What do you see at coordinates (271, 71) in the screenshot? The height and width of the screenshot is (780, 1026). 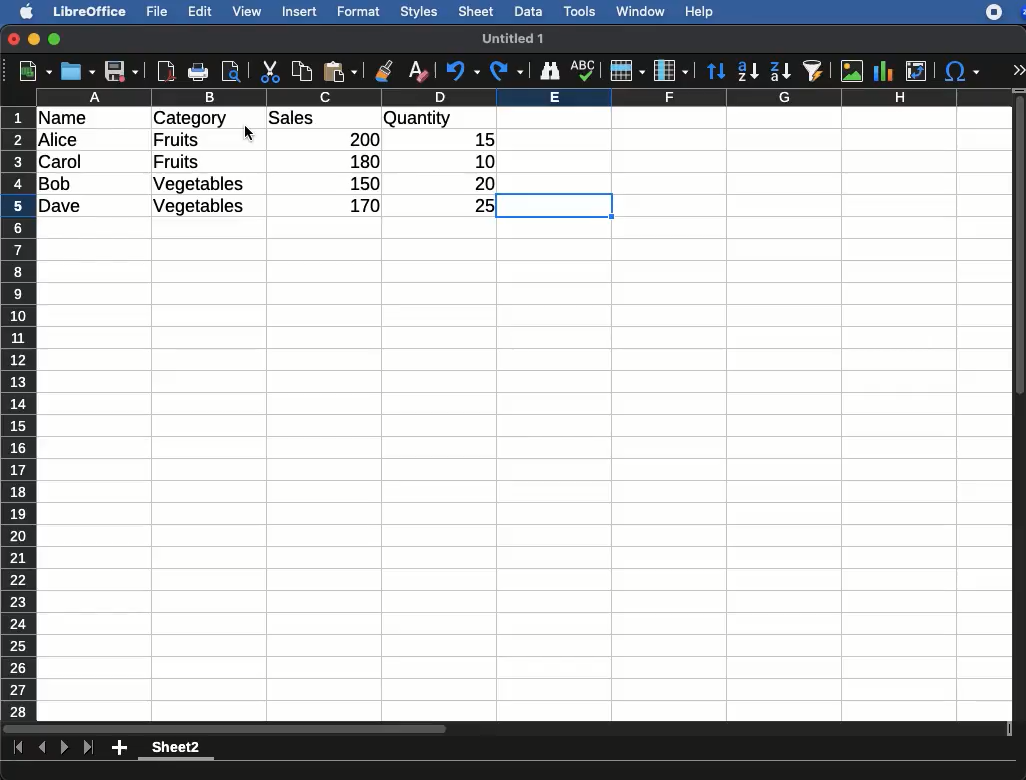 I see `cut` at bounding box center [271, 71].